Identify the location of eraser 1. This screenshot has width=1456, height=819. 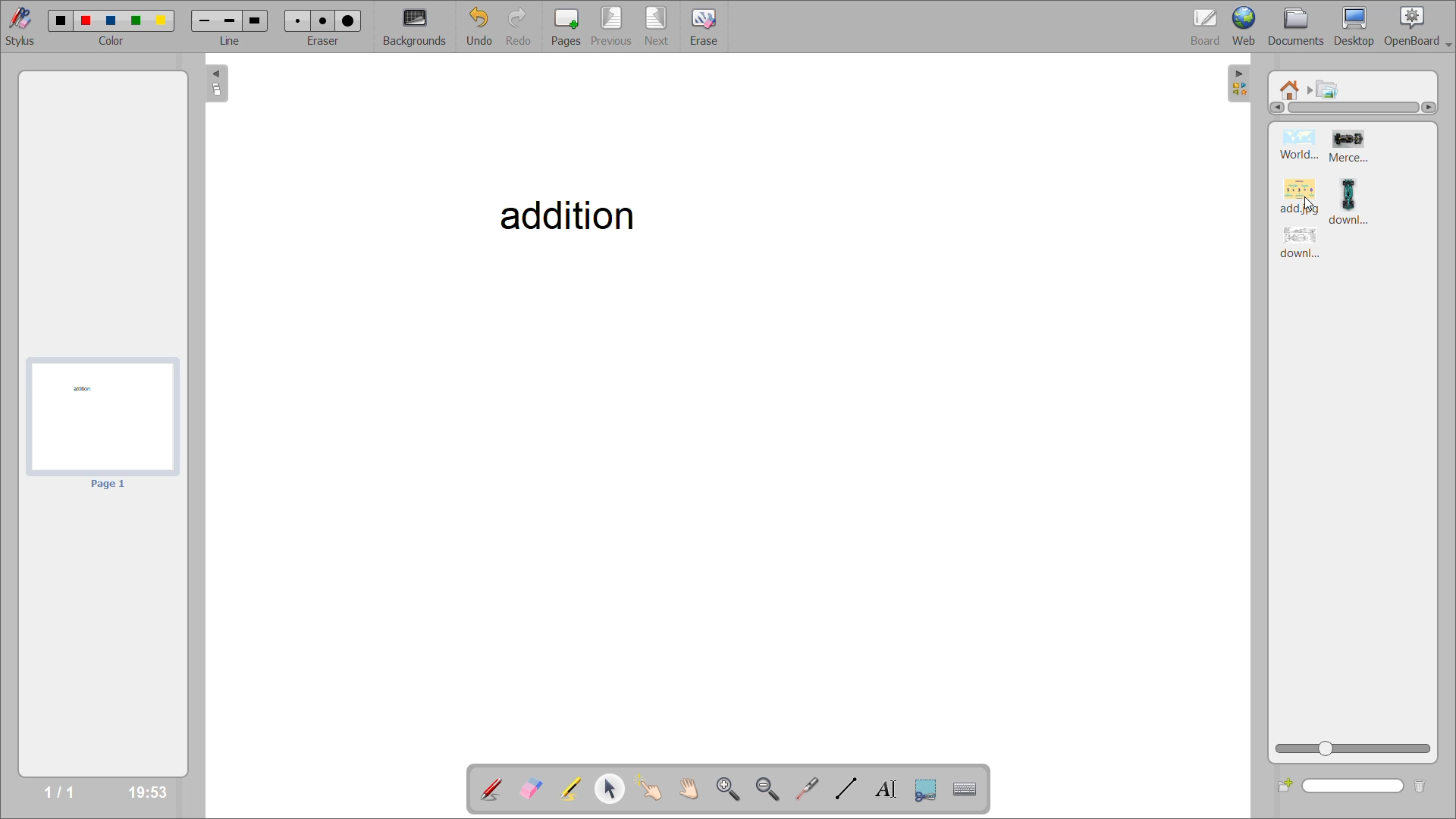
(299, 20).